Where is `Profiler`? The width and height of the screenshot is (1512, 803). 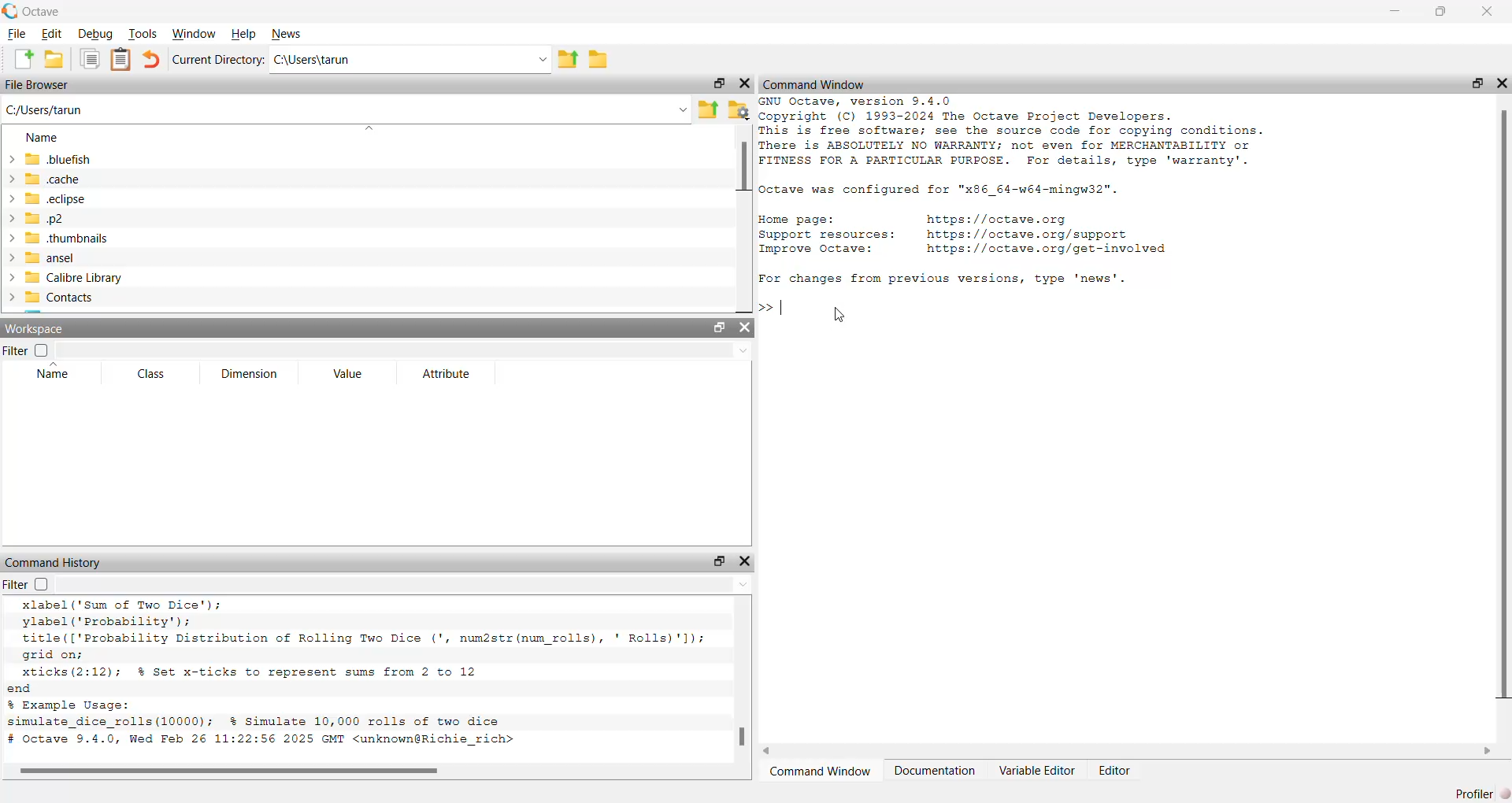
Profiler is located at coordinates (1479, 794).